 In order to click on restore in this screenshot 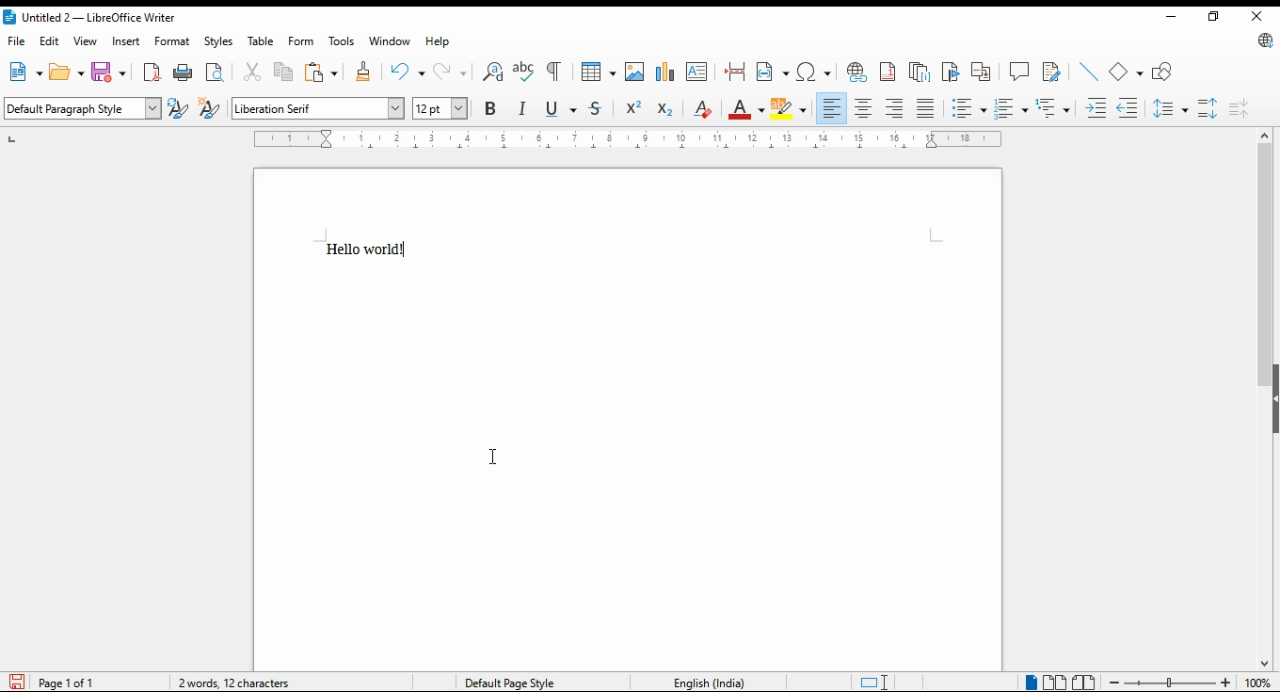, I will do `click(1211, 17)`.